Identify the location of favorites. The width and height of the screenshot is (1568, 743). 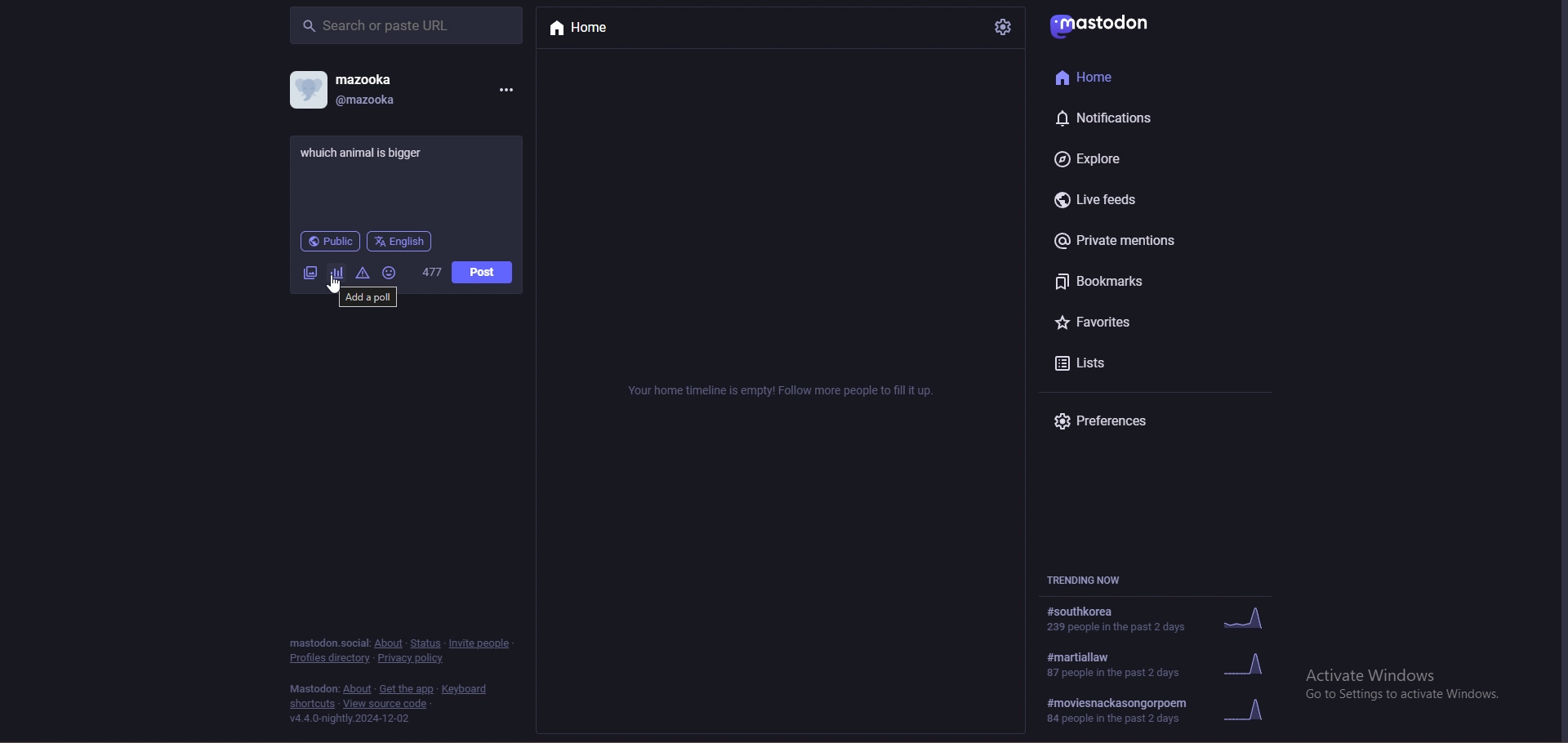
(1114, 324).